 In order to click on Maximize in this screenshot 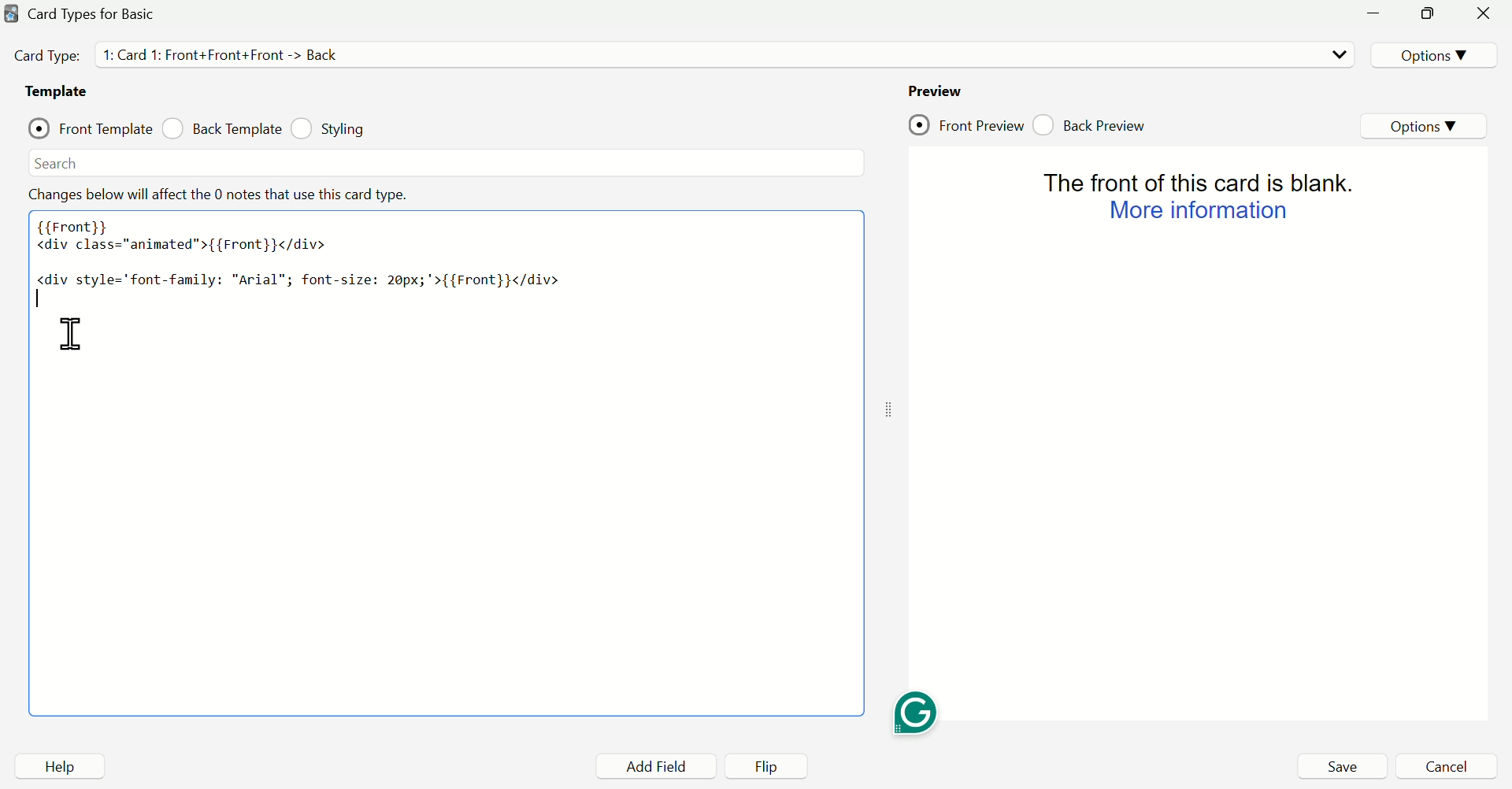, I will do `click(1426, 13)`.